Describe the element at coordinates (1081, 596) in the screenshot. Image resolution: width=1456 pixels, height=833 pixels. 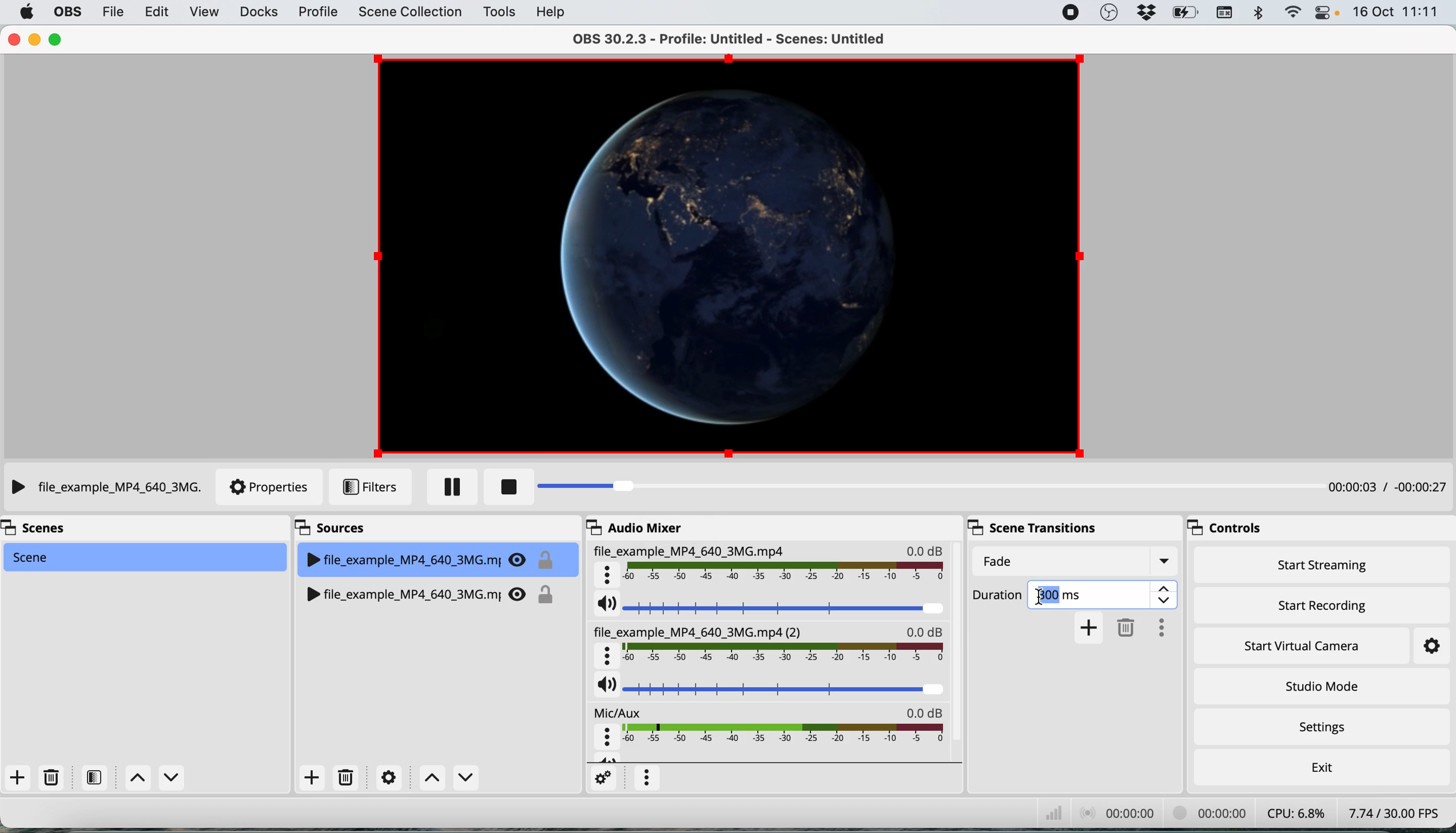
I see `start to select current transition duration` at that location.